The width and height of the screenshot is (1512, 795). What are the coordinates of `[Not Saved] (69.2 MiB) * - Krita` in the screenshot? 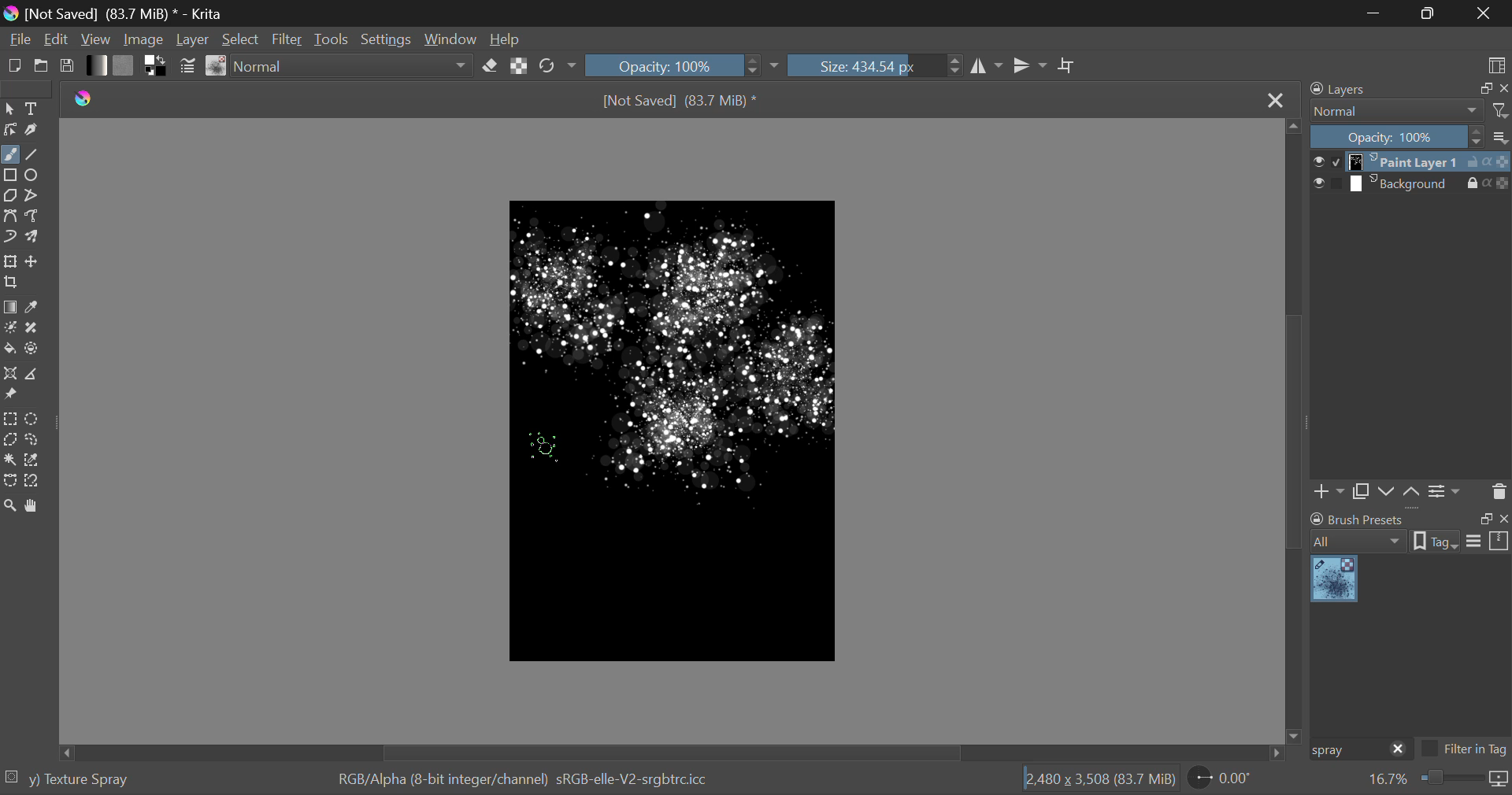 It's located at (129, 13).